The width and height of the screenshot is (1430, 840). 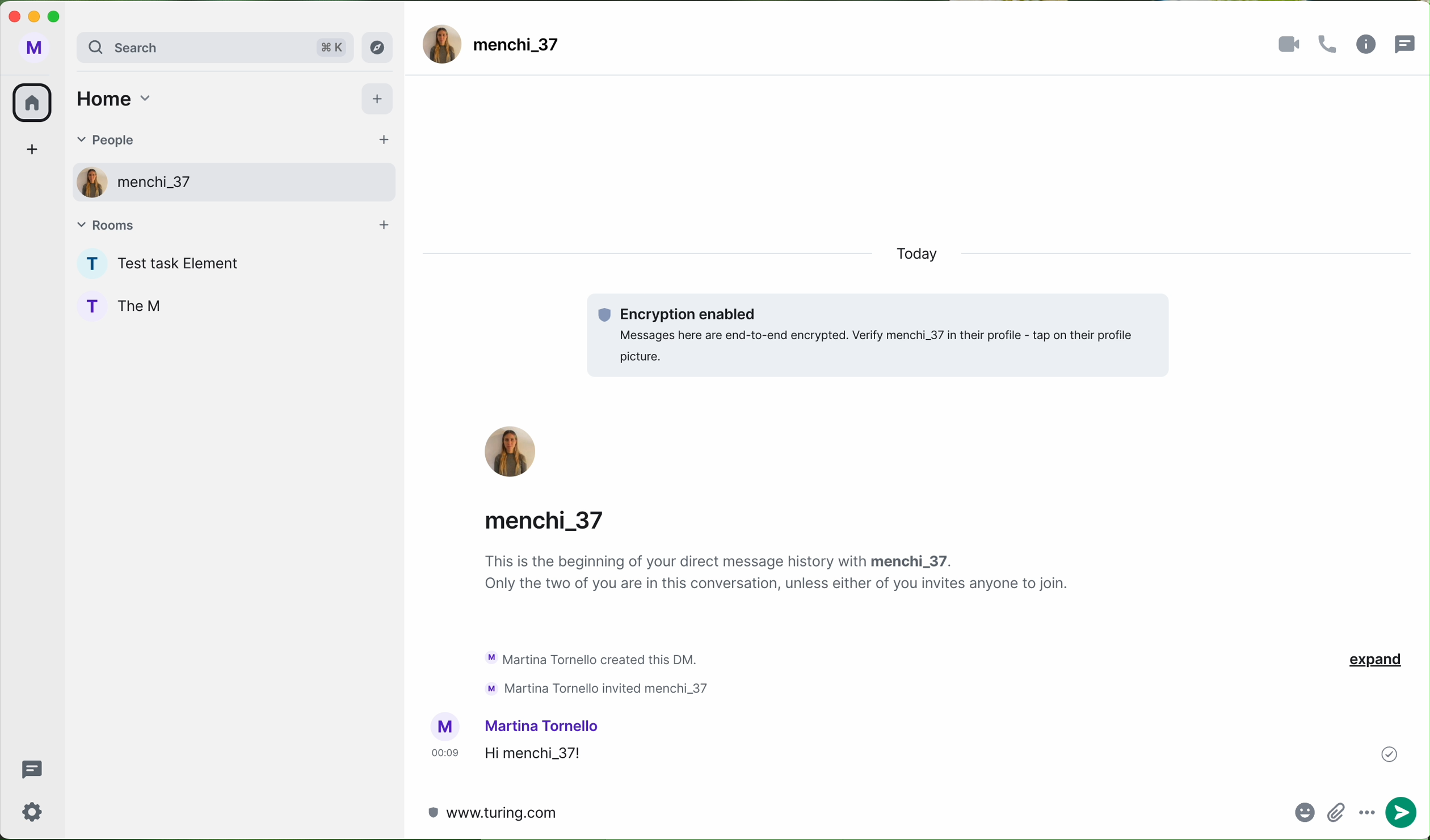 I want to click on home icon, so click(x=31, y=103).